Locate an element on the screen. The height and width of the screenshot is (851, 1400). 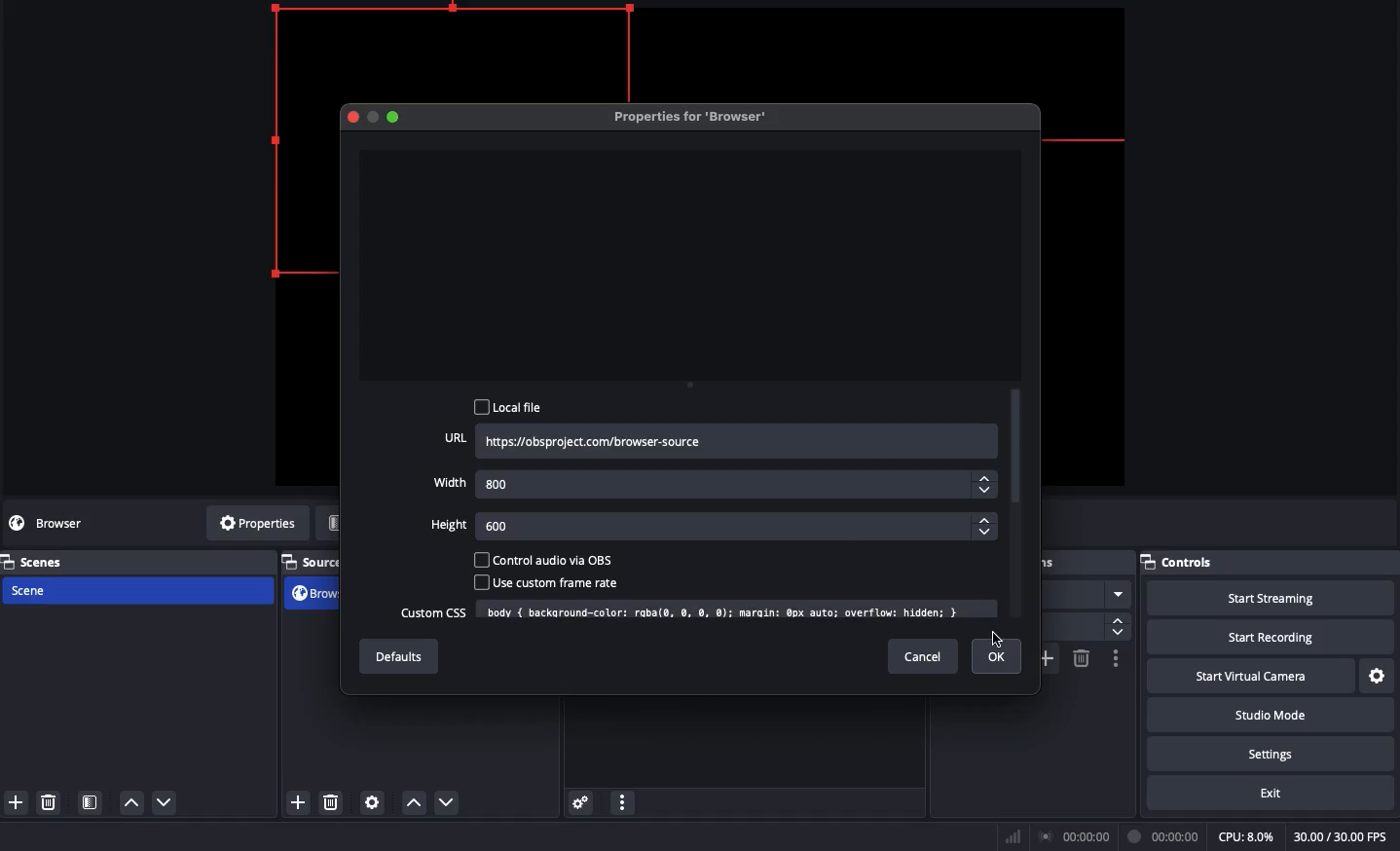
cursor is located at coordinates (999, 640).